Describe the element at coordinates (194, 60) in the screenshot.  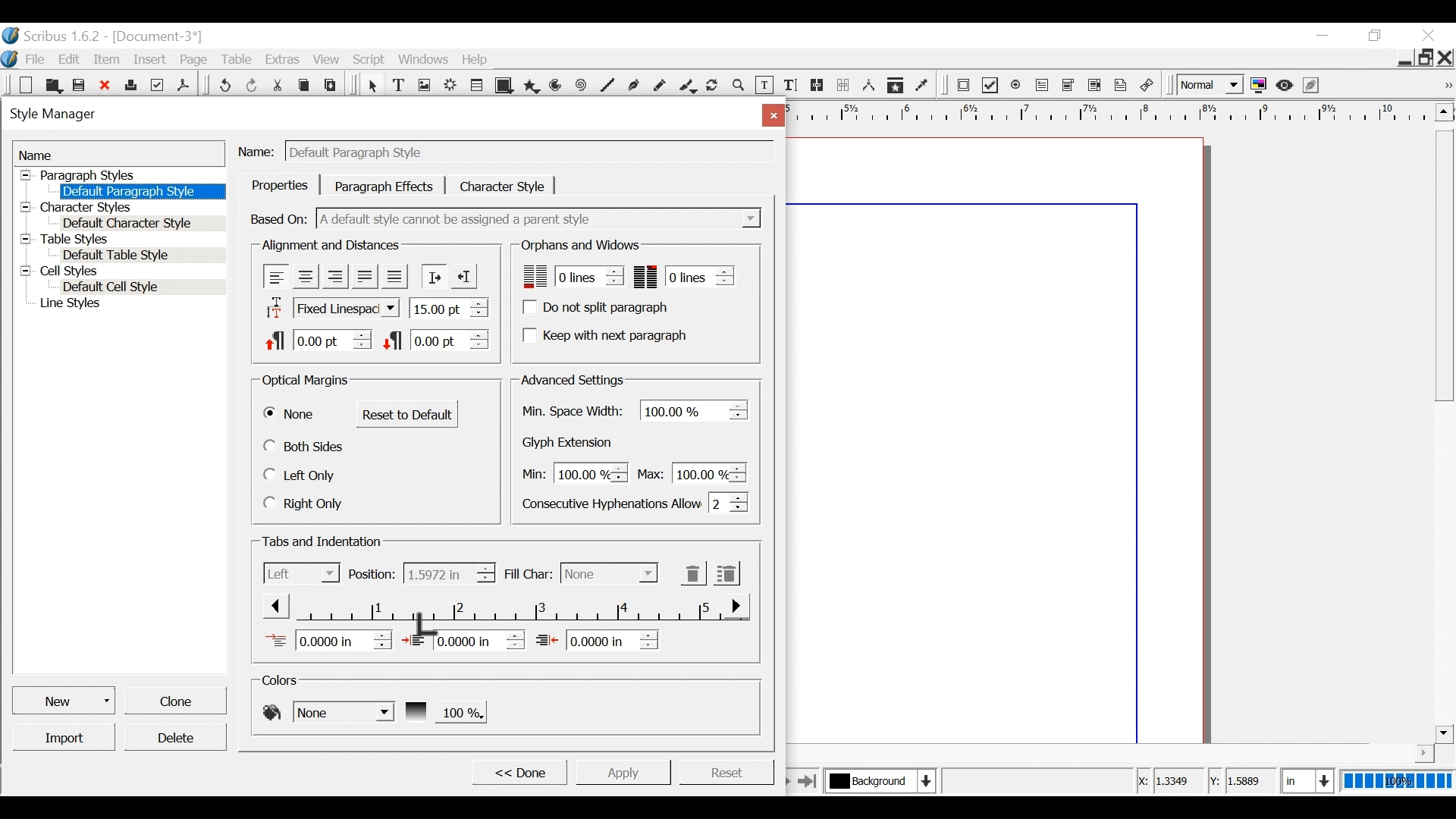
I see `Page` at that location.